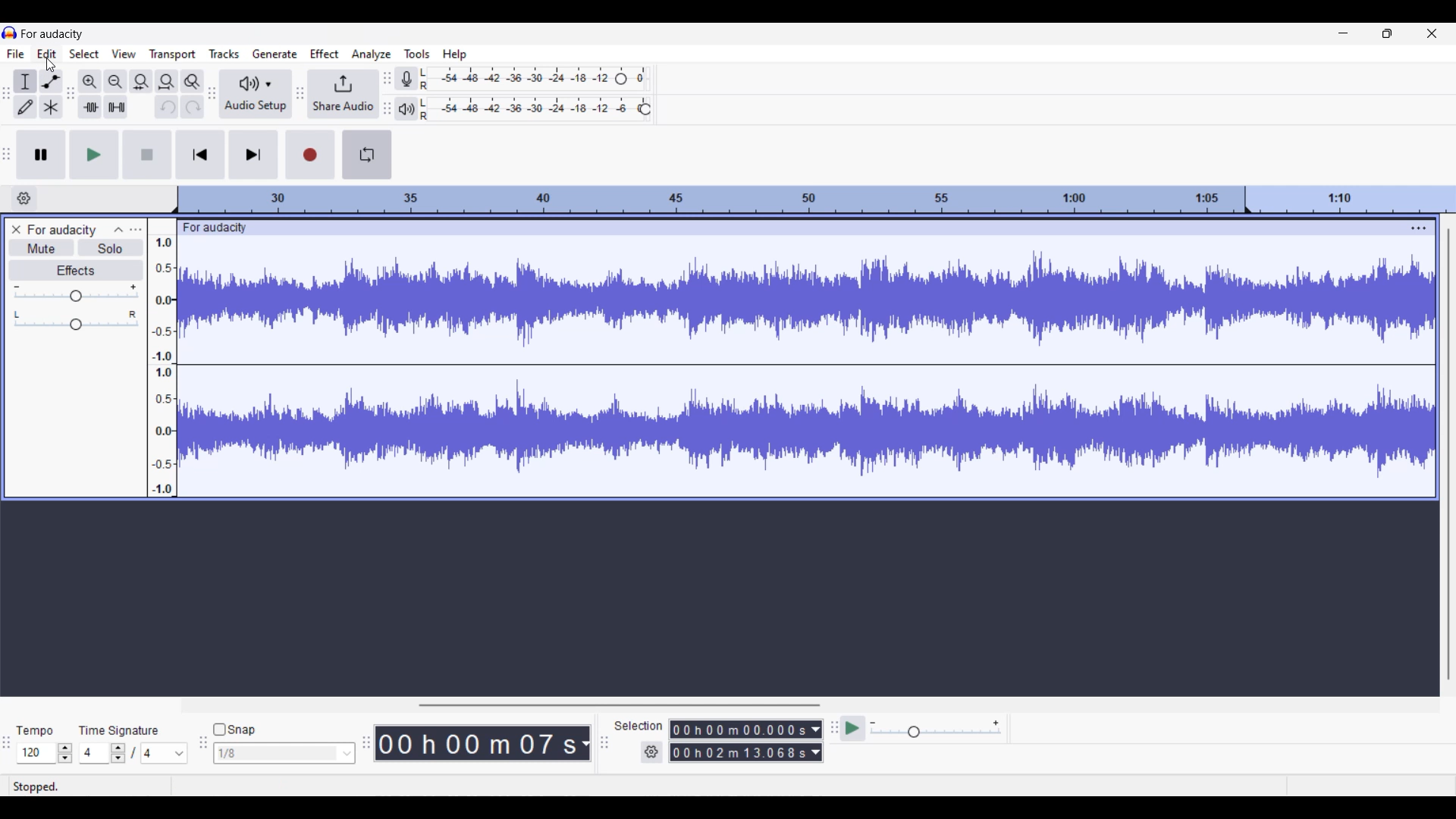 This screenshot has height=819, width=1456. Describe the element at coordinates (1387, 33) in the screenshot. I see `Show in smaller tab` at that location.